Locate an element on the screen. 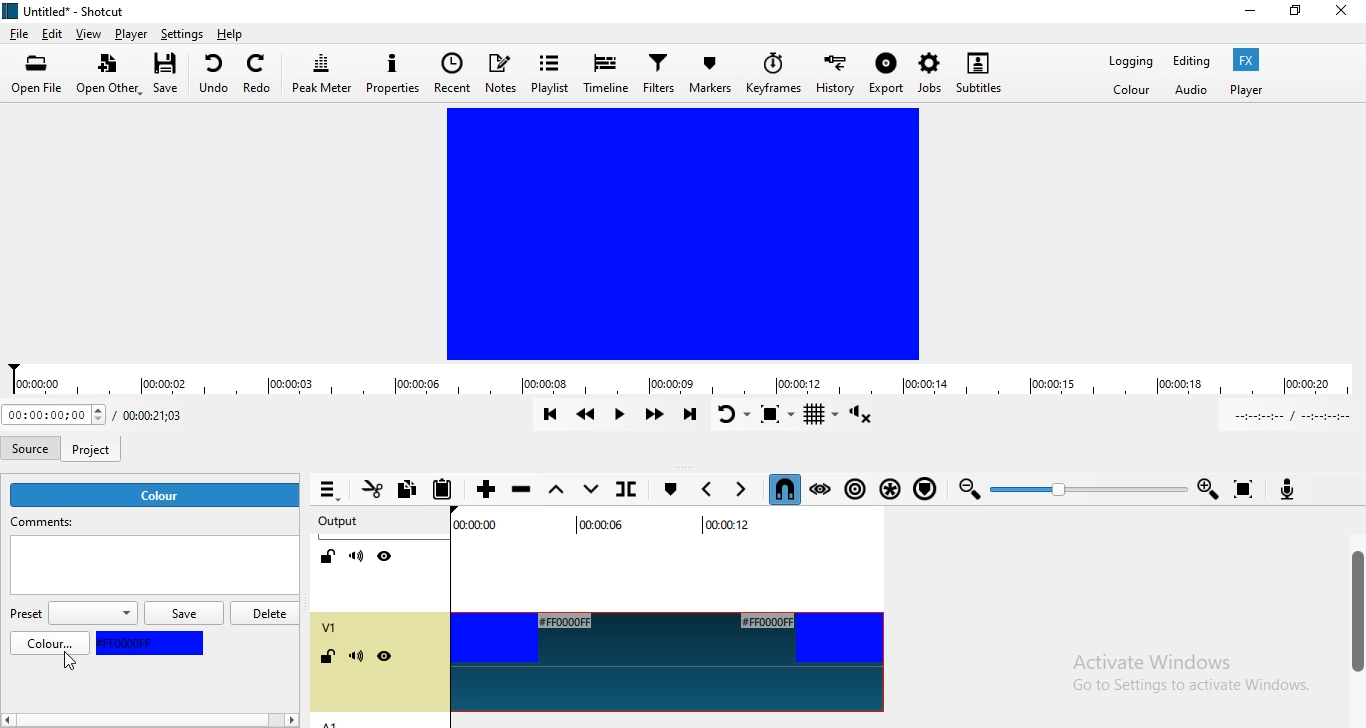  Ripple all tracks is located at coordinates (890, 490).